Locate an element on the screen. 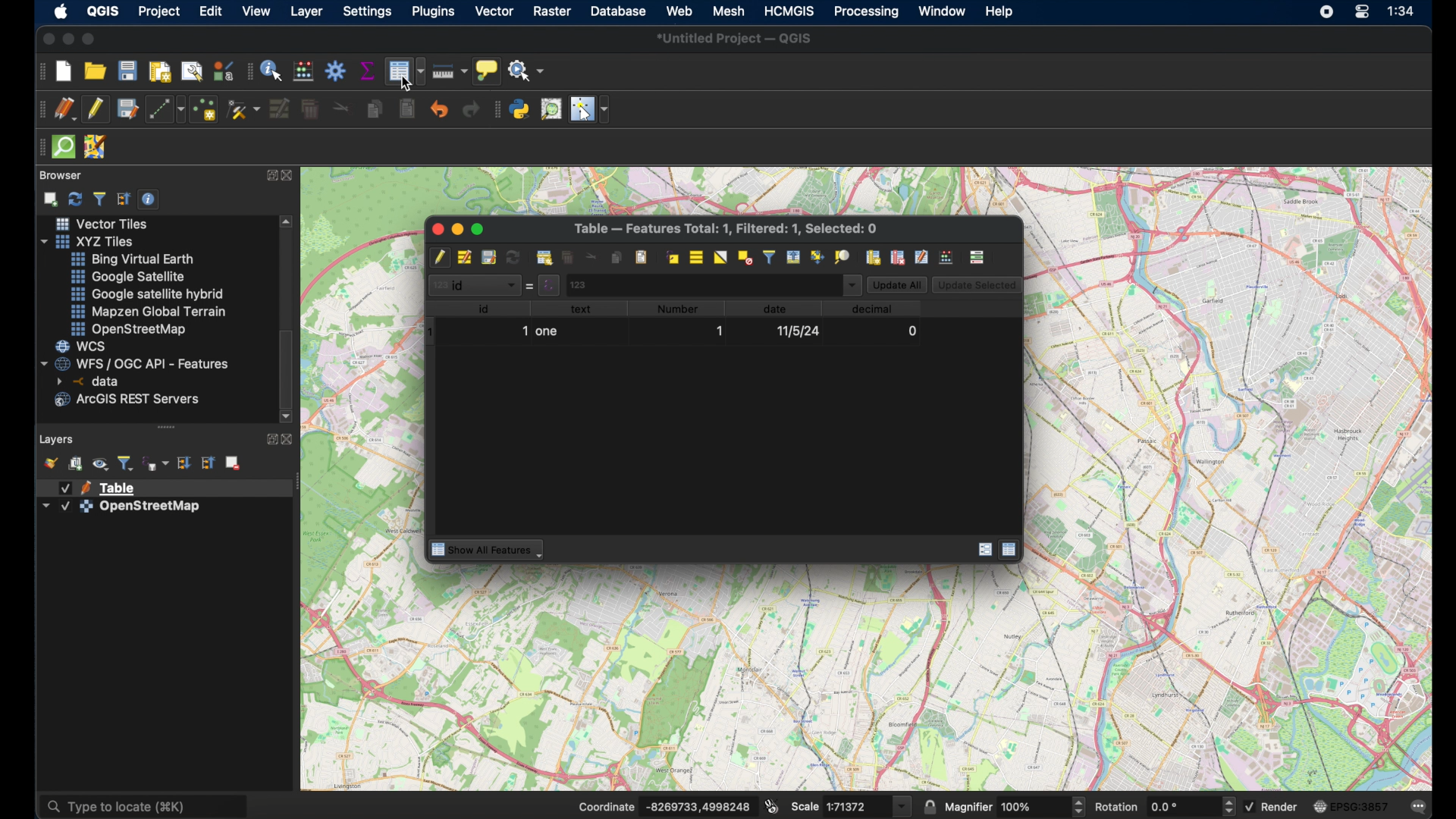  open field calculator is located at coordinates (303, 69).